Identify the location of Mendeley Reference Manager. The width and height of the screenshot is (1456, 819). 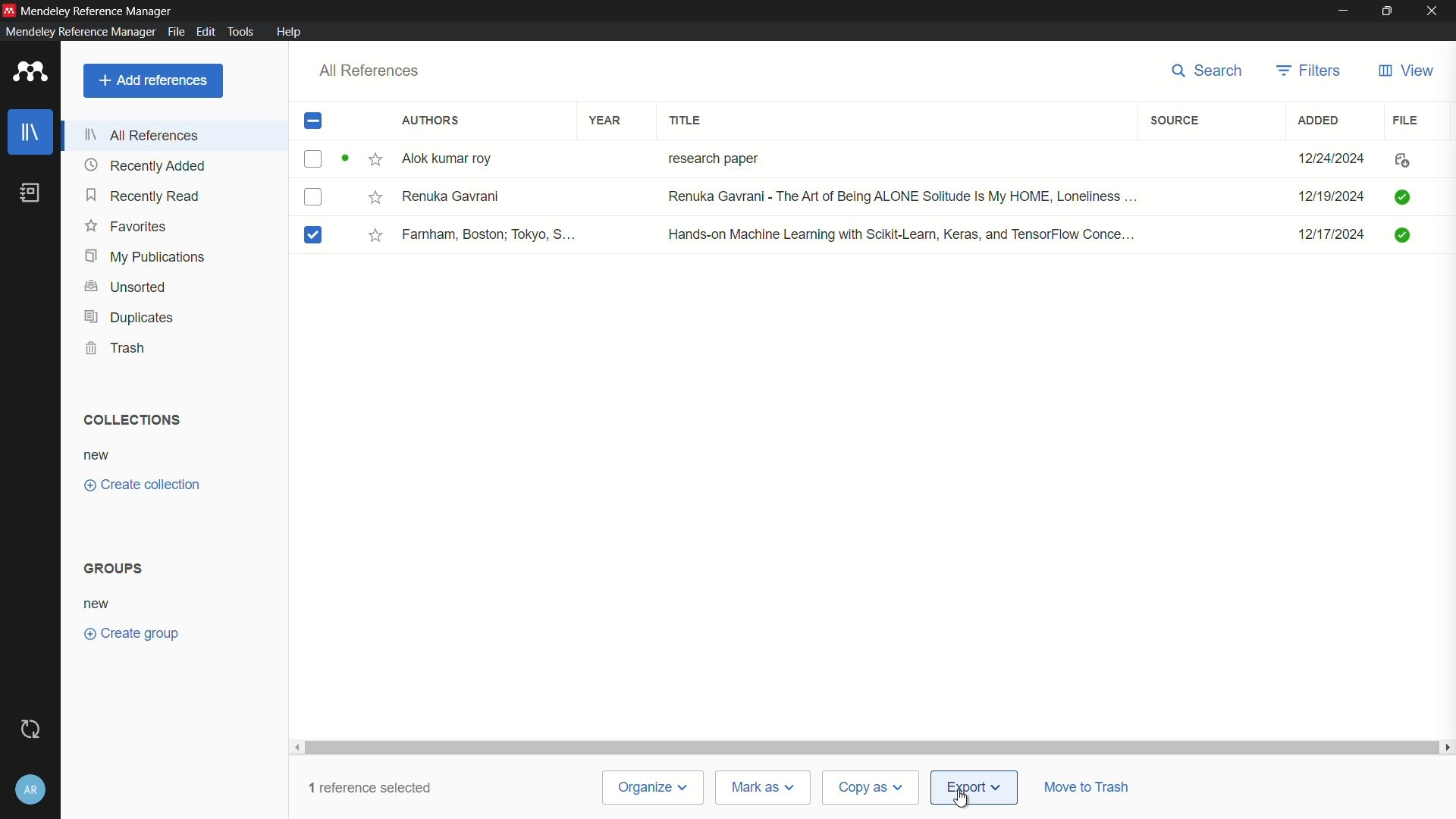
(81, 31).